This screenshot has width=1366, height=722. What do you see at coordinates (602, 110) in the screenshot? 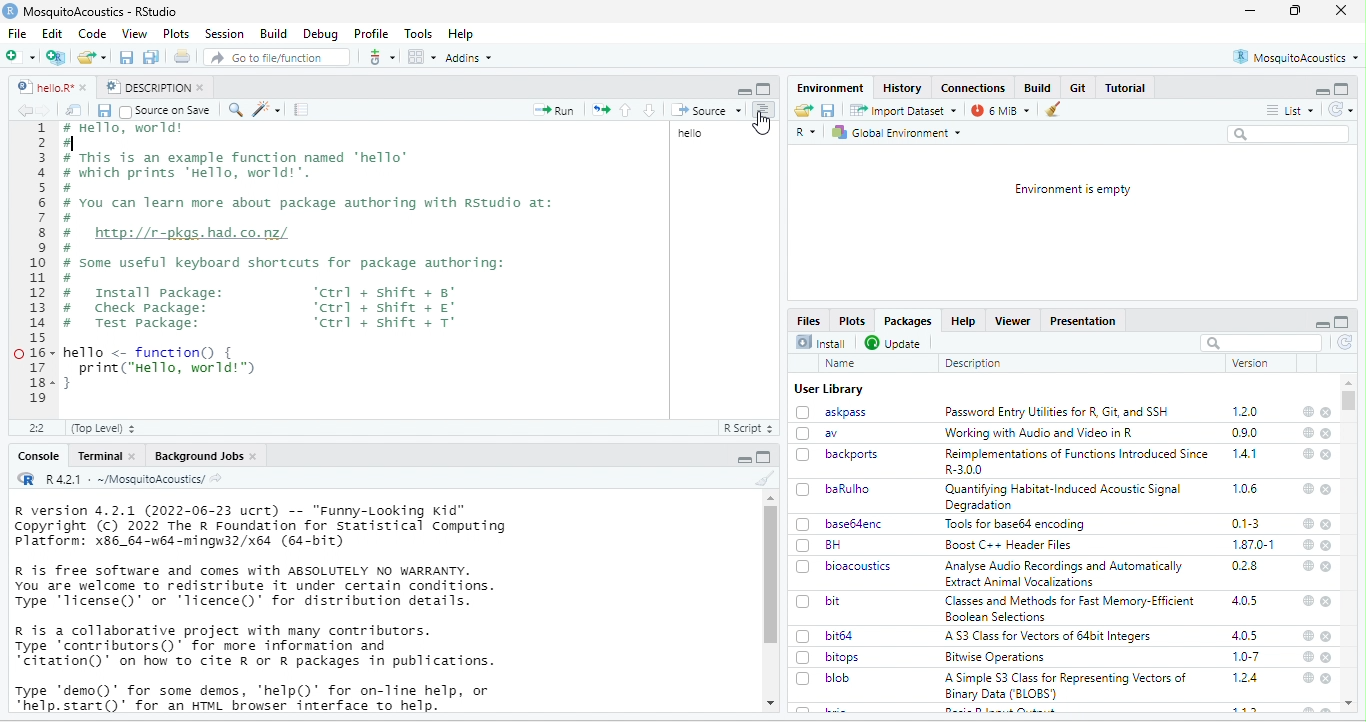
I see `Re-run the previous code` at bounding box center [602, 110].